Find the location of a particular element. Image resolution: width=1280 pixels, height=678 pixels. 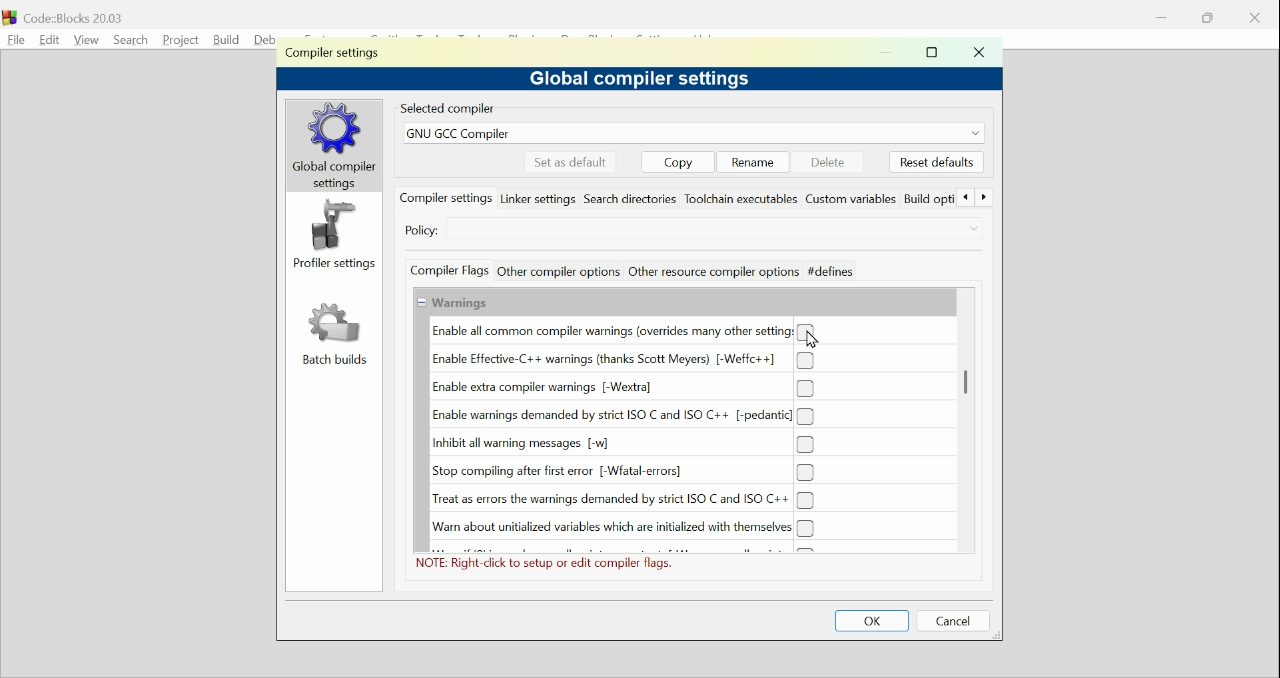

delete is located at coordinates (826, 161).